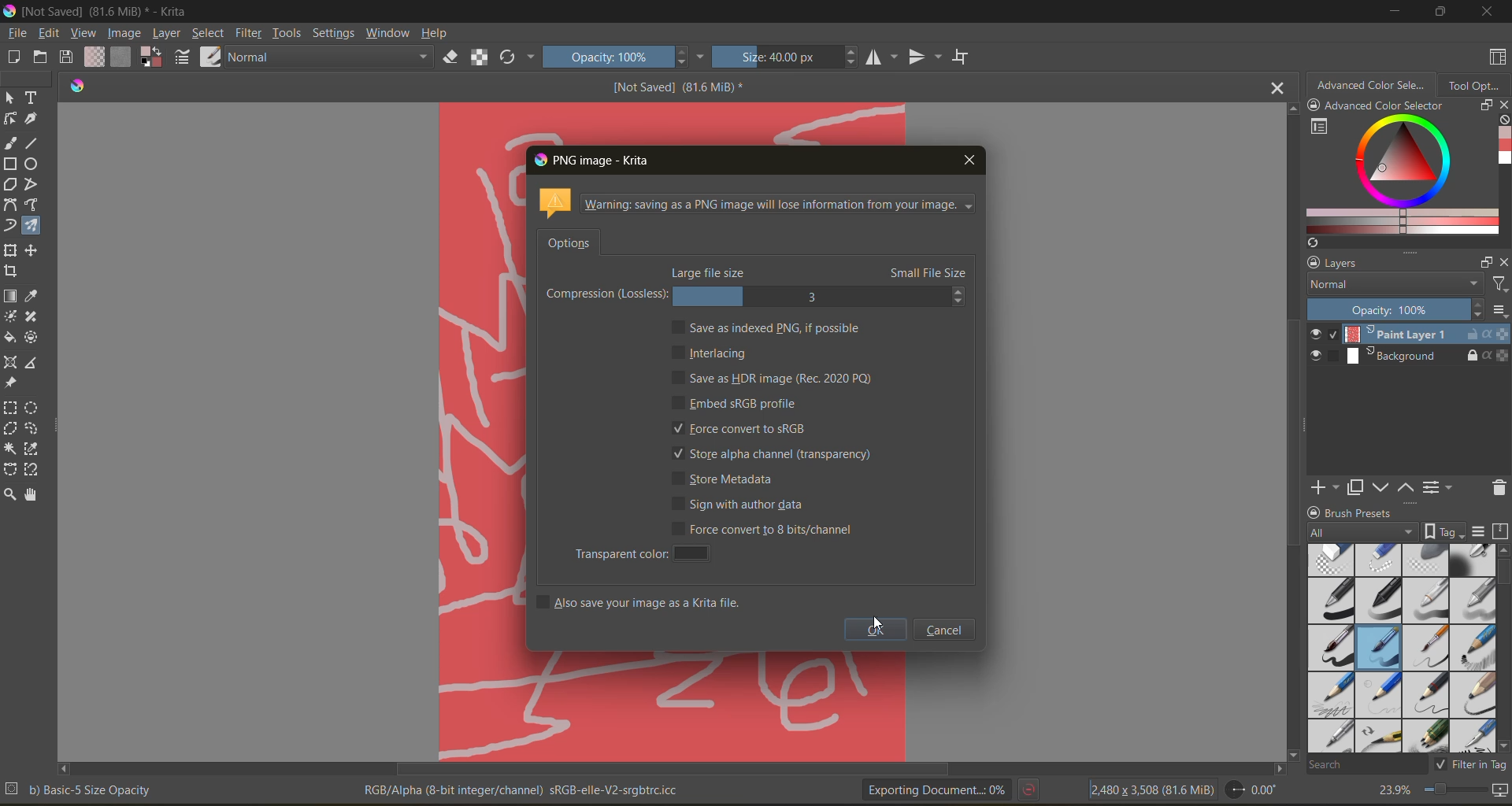 This screenshot has width=1512, height=806. What do you see at coordinates (10, 120) in the screenshot?
I see `tool` at bounding box center [10, 120].